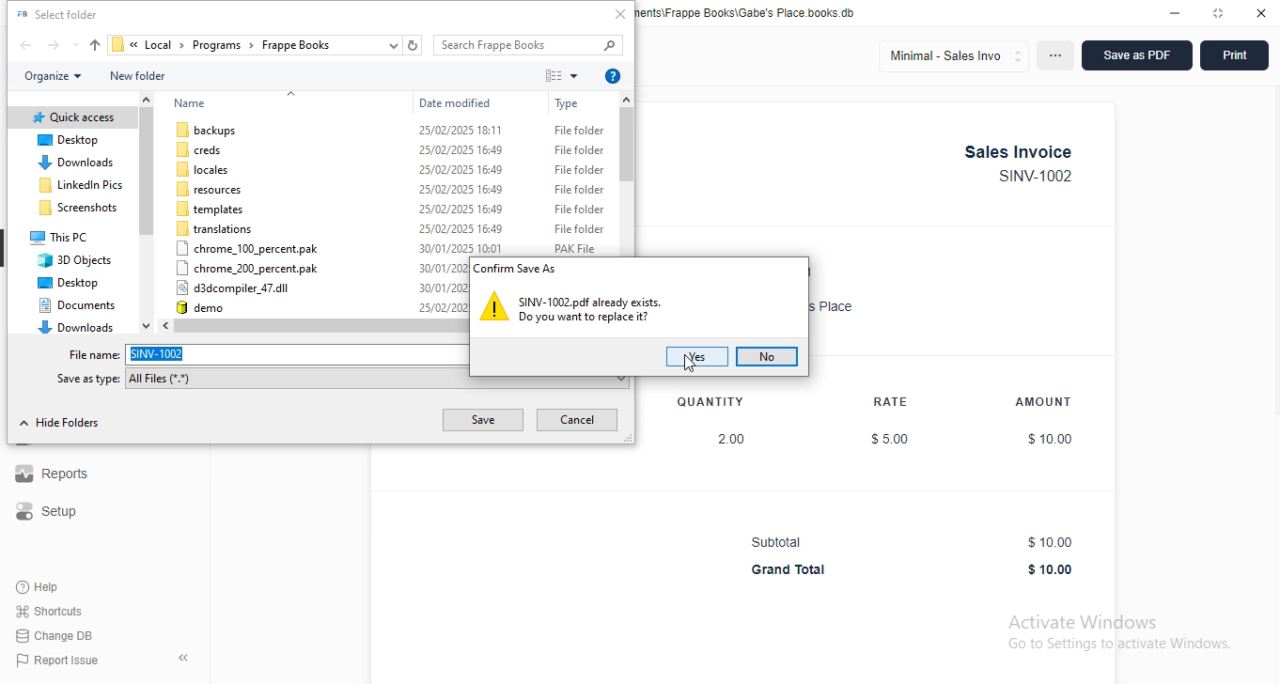  What do you see at coordinates (199, 170) in the screenshot?
I see `locales` at bounding box center [199, 170].